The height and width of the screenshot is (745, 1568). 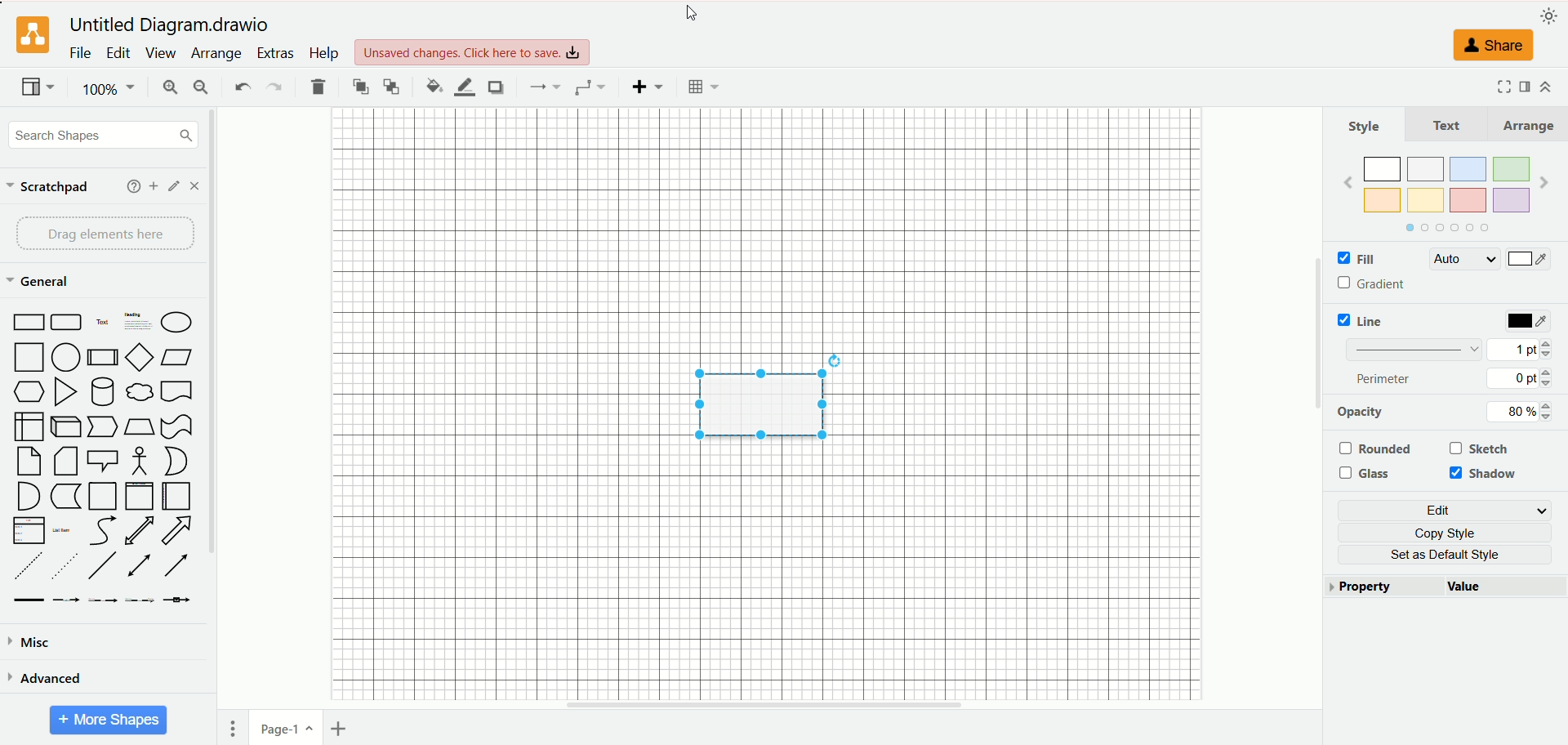 What do you see at coordinates (1365, 126) in the screenshot?
I see `style` at bounding box center [1365, 126].